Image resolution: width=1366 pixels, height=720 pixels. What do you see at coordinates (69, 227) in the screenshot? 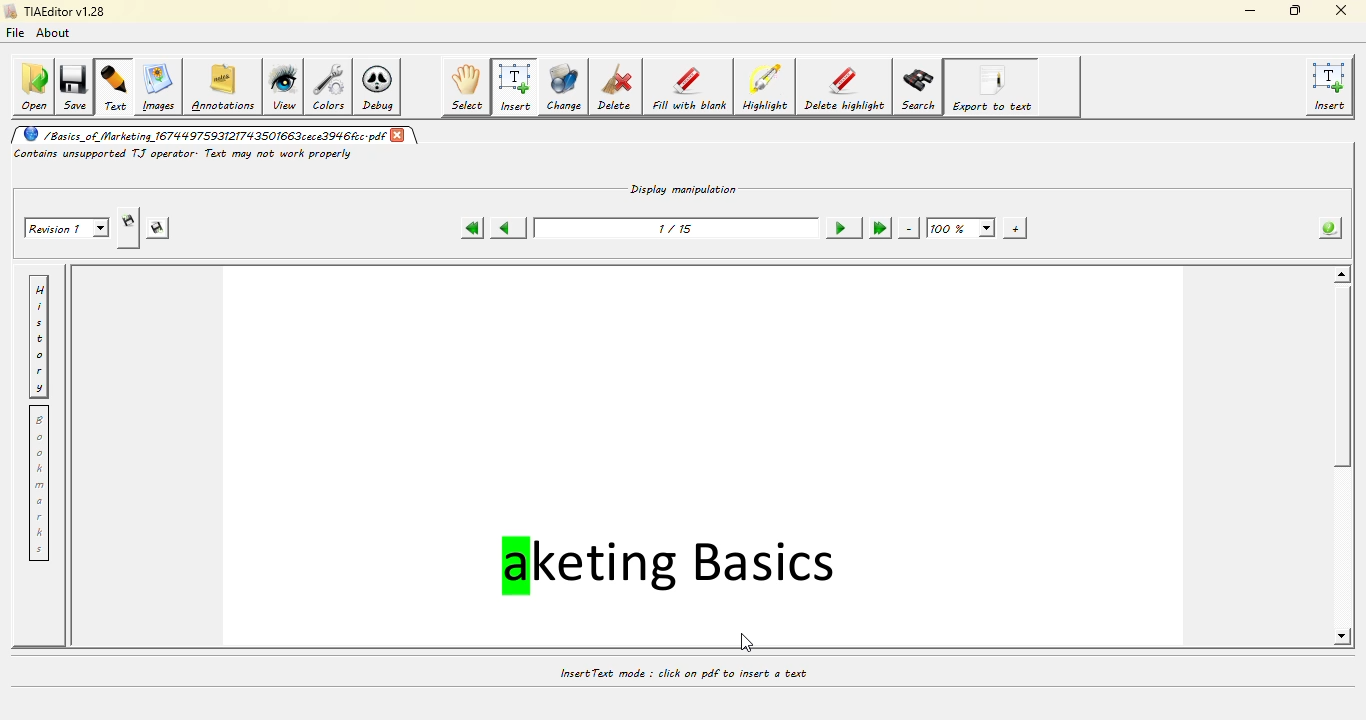
I see `Revision 1` at bounding box center [69, 227].